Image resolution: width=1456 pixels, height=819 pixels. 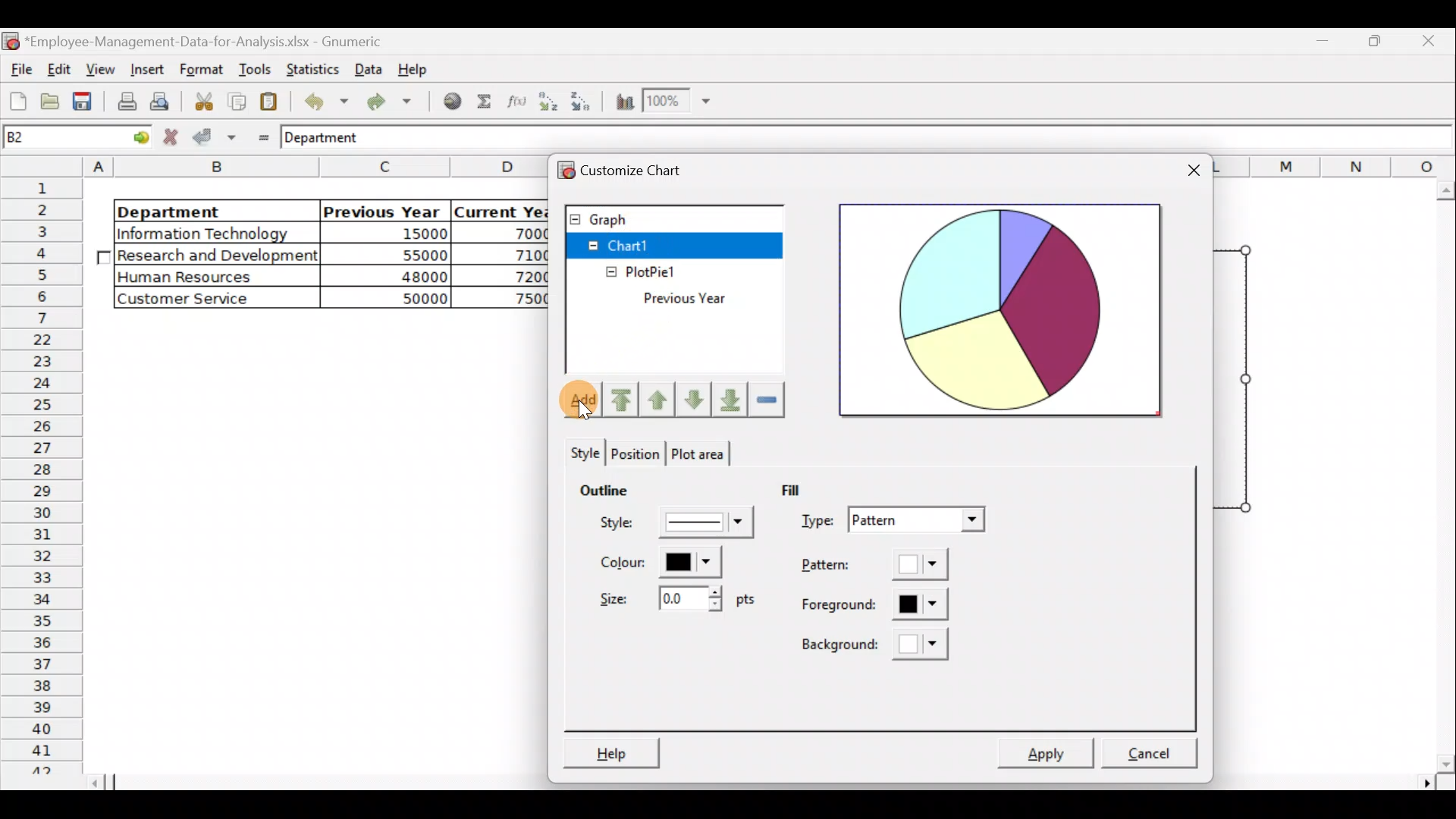 I want to click on Edit, so click(x=61, y=67).